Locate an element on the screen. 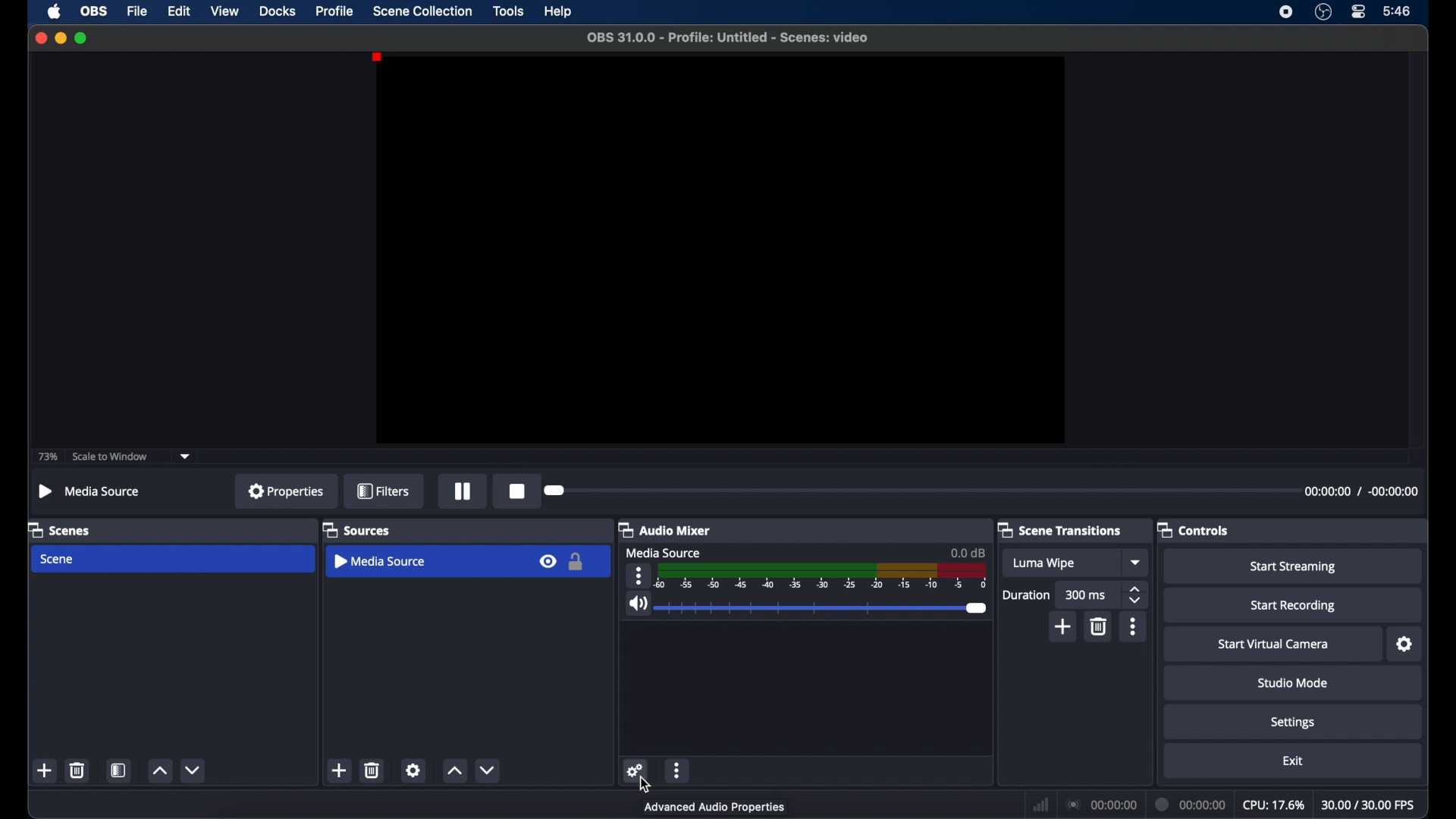 This screenshot has height=819, width=1456. connection is located at coordinates (1100, 805).